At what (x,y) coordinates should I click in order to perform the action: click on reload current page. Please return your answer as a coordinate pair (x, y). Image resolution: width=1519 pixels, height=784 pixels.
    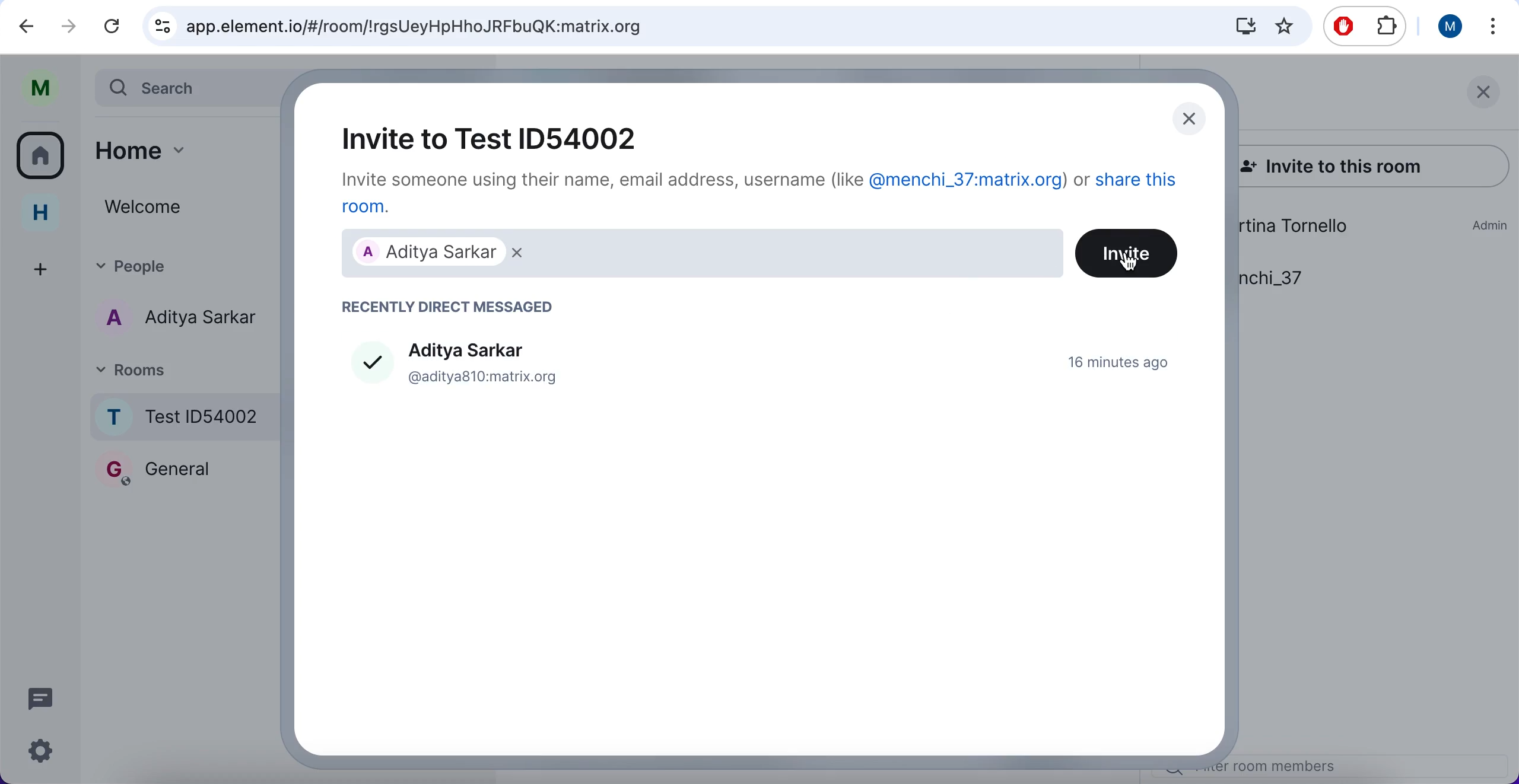
    Looking at the image, I should click on (111, 28).